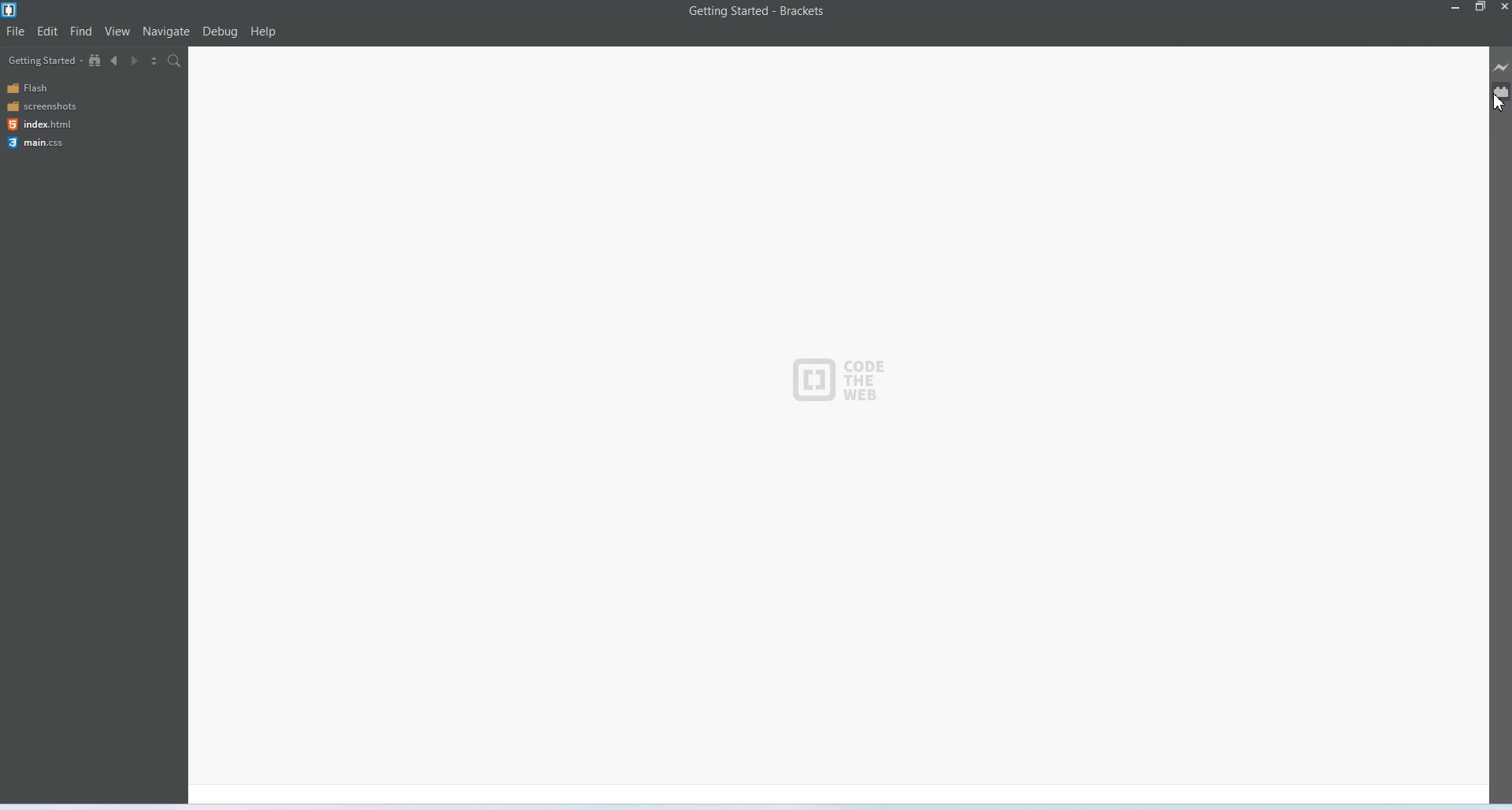 This screenshot has height=810, width=1512. What do you see at coordinates (263, 32) in the screenshot?
I see `Help` at bounding box center [263, 32].